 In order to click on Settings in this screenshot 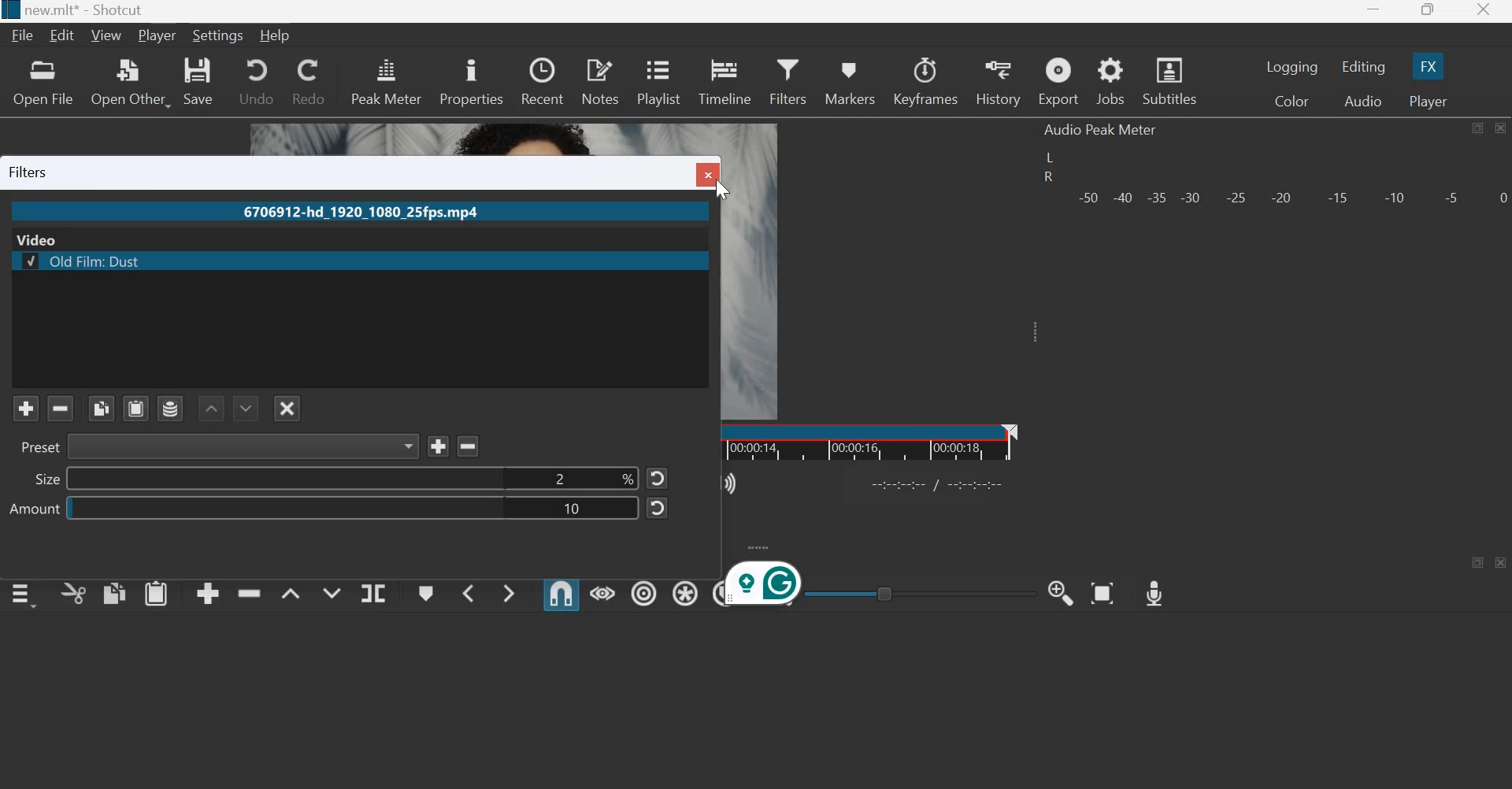, I will do `click(219, 35)`.